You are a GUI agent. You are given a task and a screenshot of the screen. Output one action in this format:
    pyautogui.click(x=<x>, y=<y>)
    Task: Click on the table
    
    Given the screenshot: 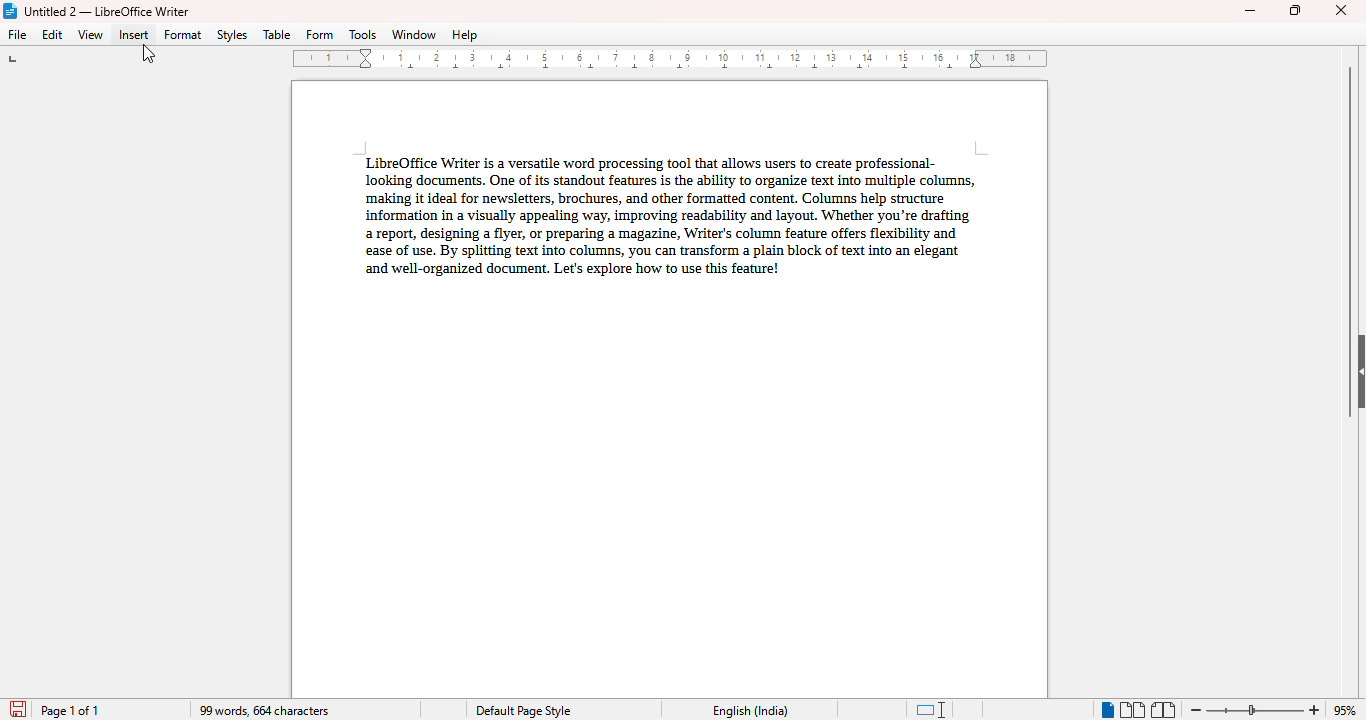 What is the action you would take?
    pyautogui.click(x=277, y=34)
    